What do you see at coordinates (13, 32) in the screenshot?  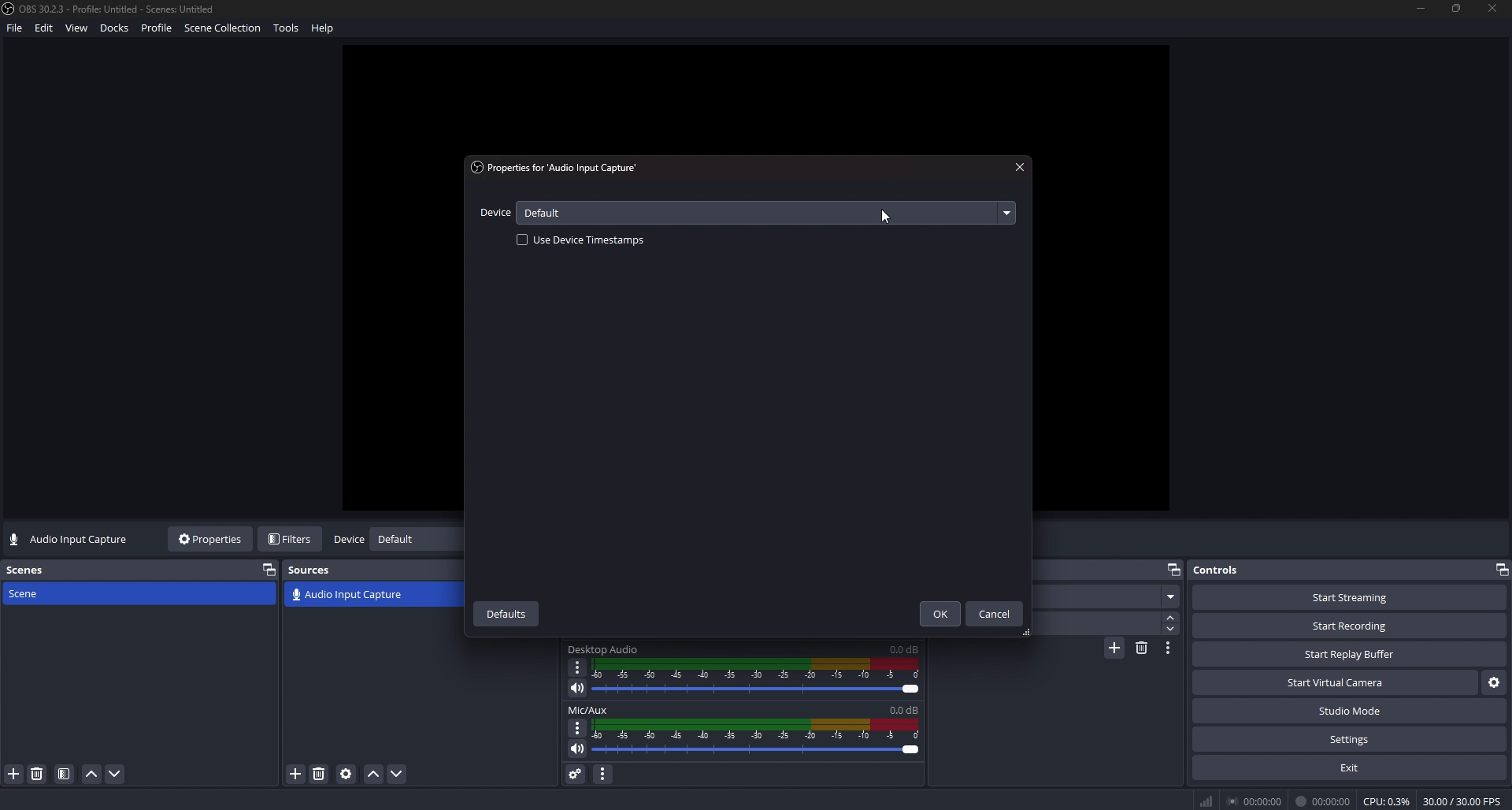 I see `file` at bounding box center [13, 32].